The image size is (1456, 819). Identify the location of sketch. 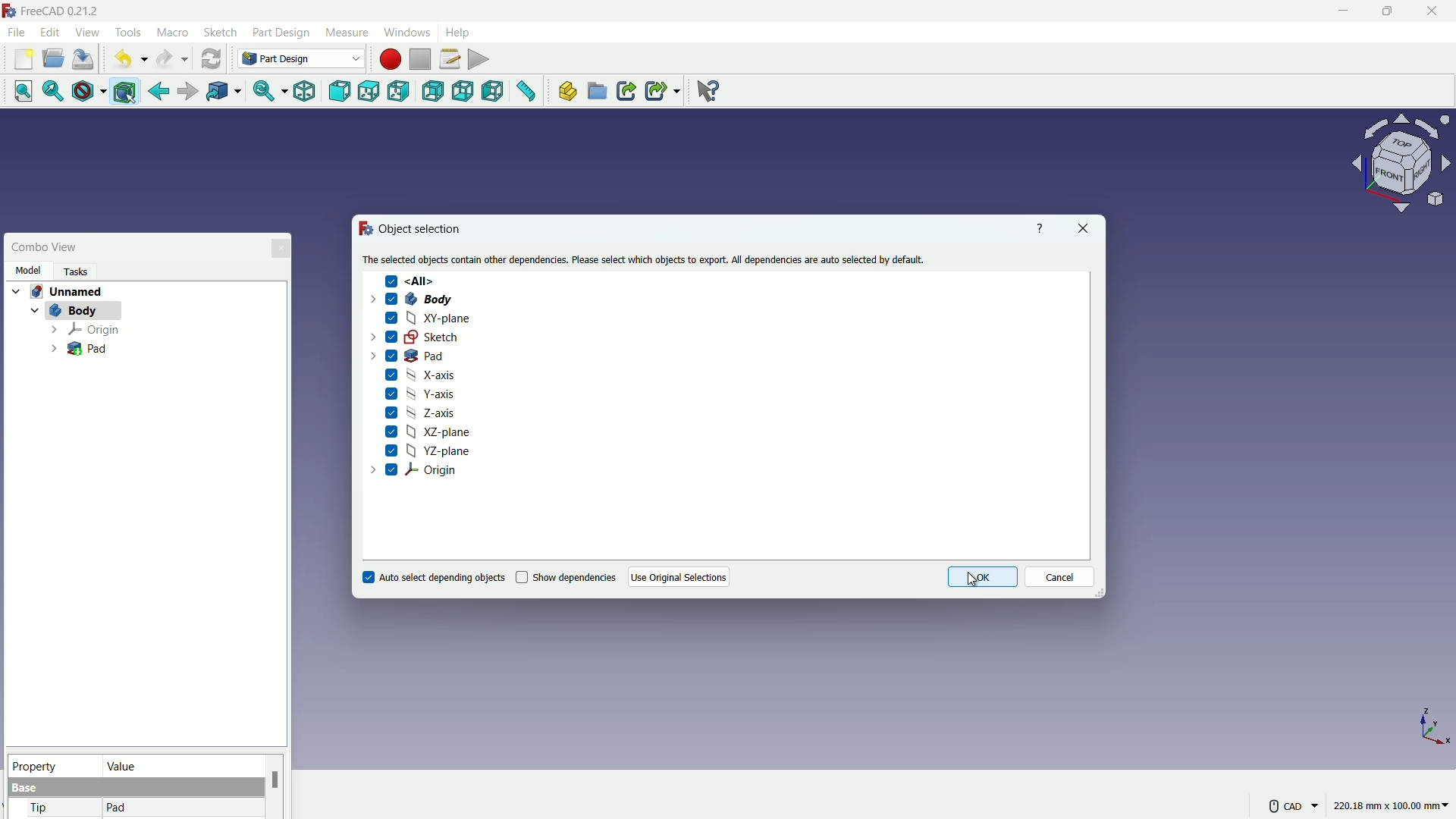
(221, 33).